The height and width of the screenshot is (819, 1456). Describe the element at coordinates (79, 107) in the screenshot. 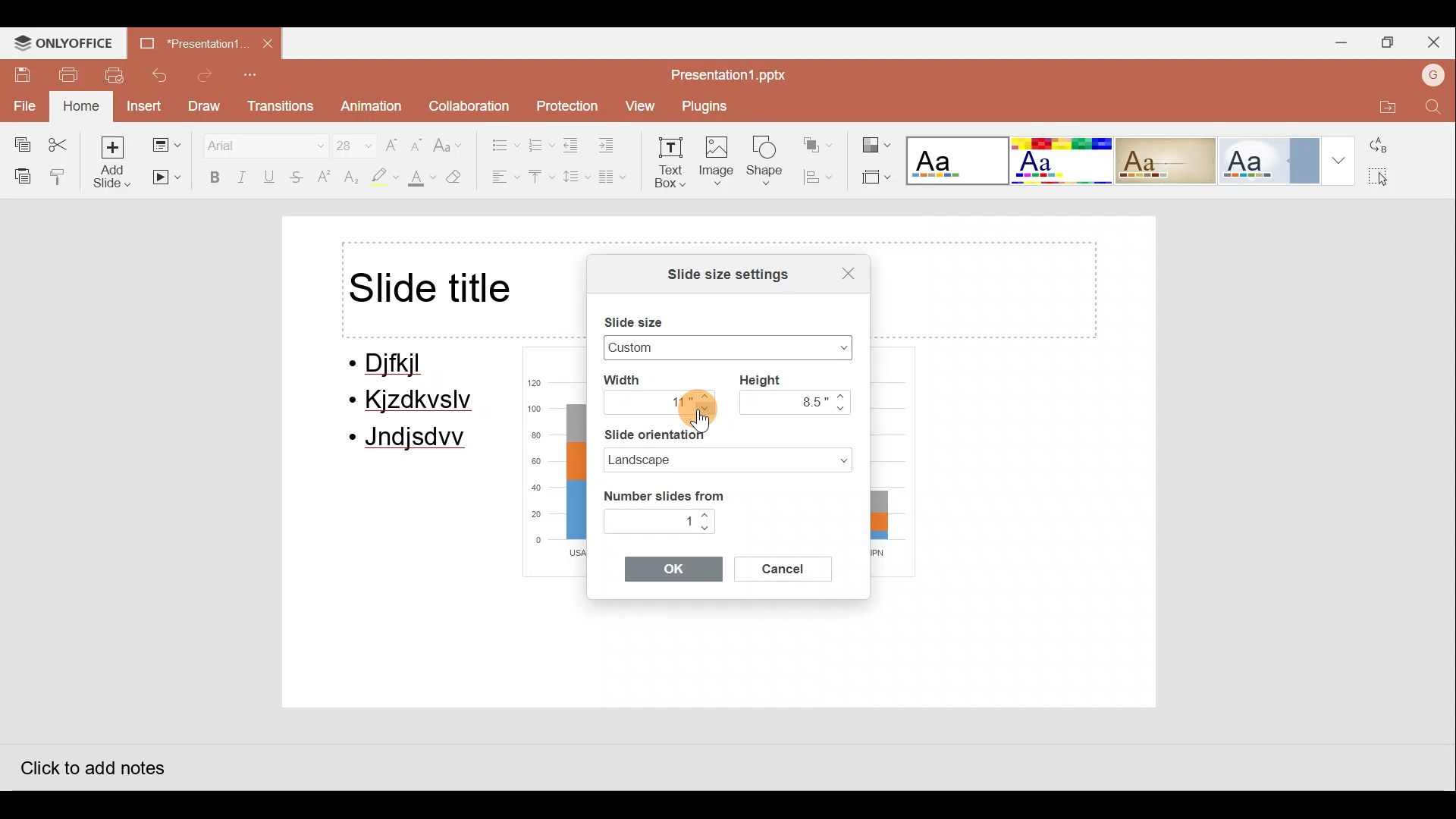

I see `Home` at that location.